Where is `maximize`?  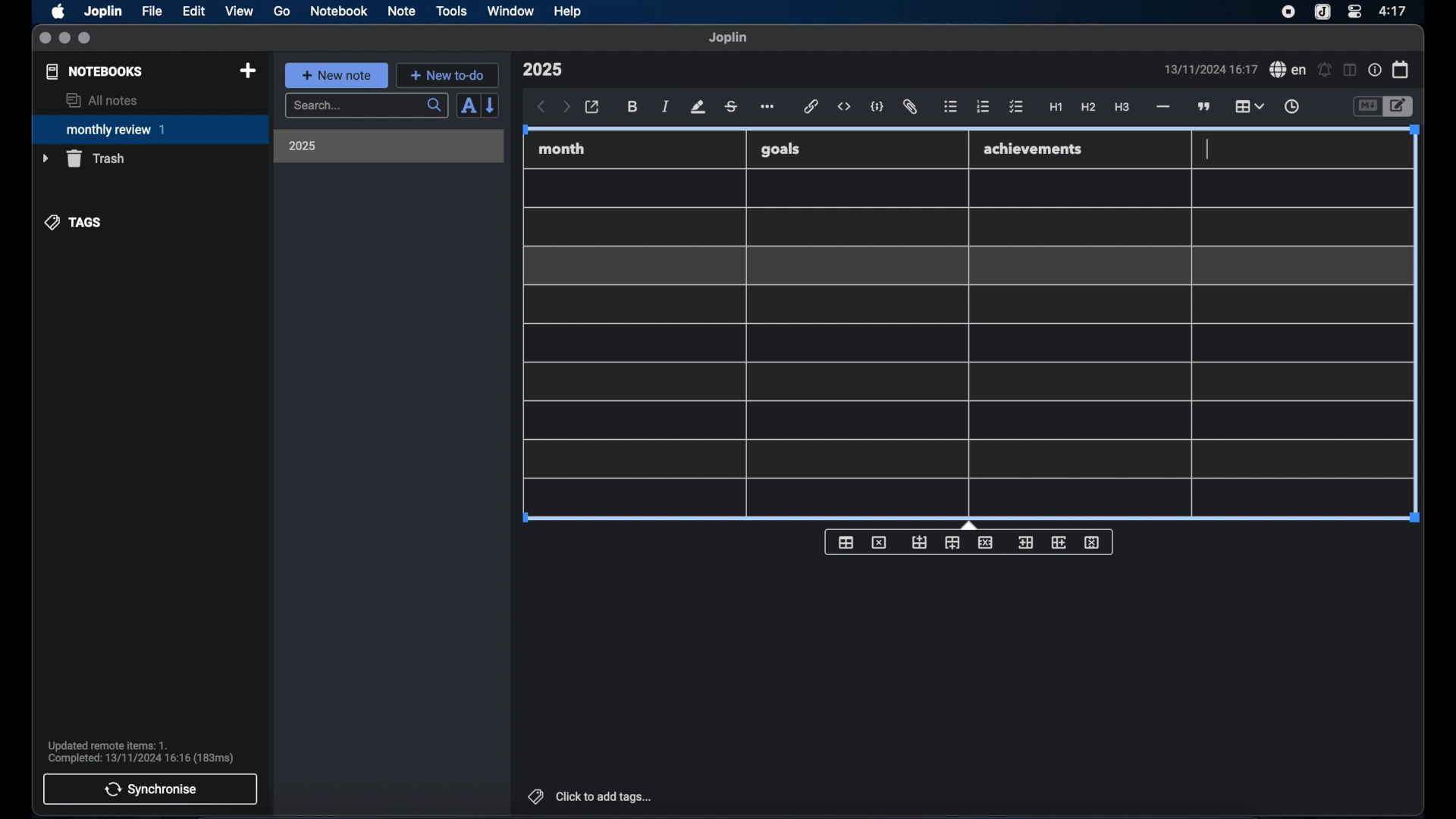 maximize is located at coordinates (86, 39).